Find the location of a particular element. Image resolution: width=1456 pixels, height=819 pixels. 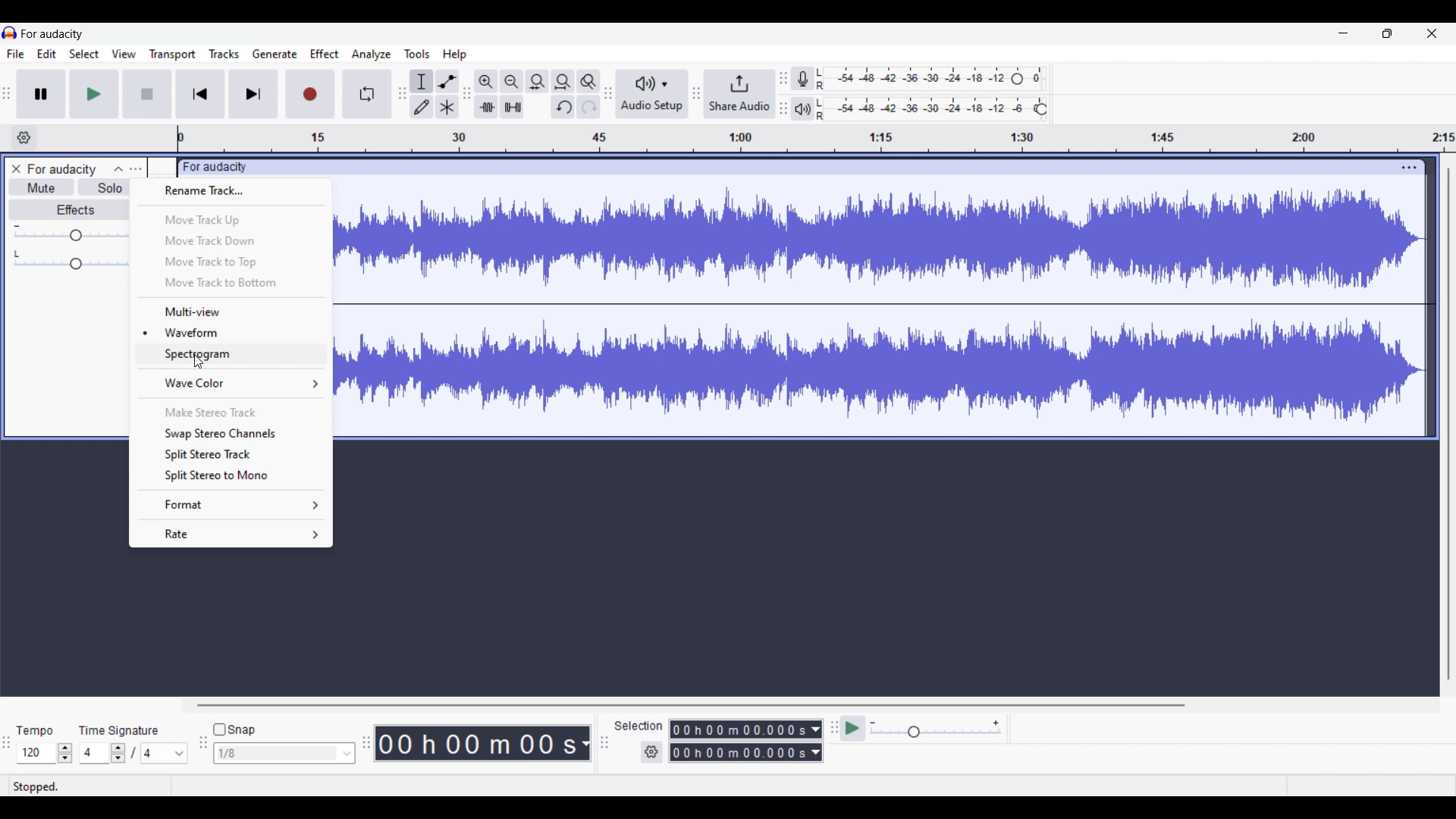

Trim audio outside selection is located at coordinates (486, 107).